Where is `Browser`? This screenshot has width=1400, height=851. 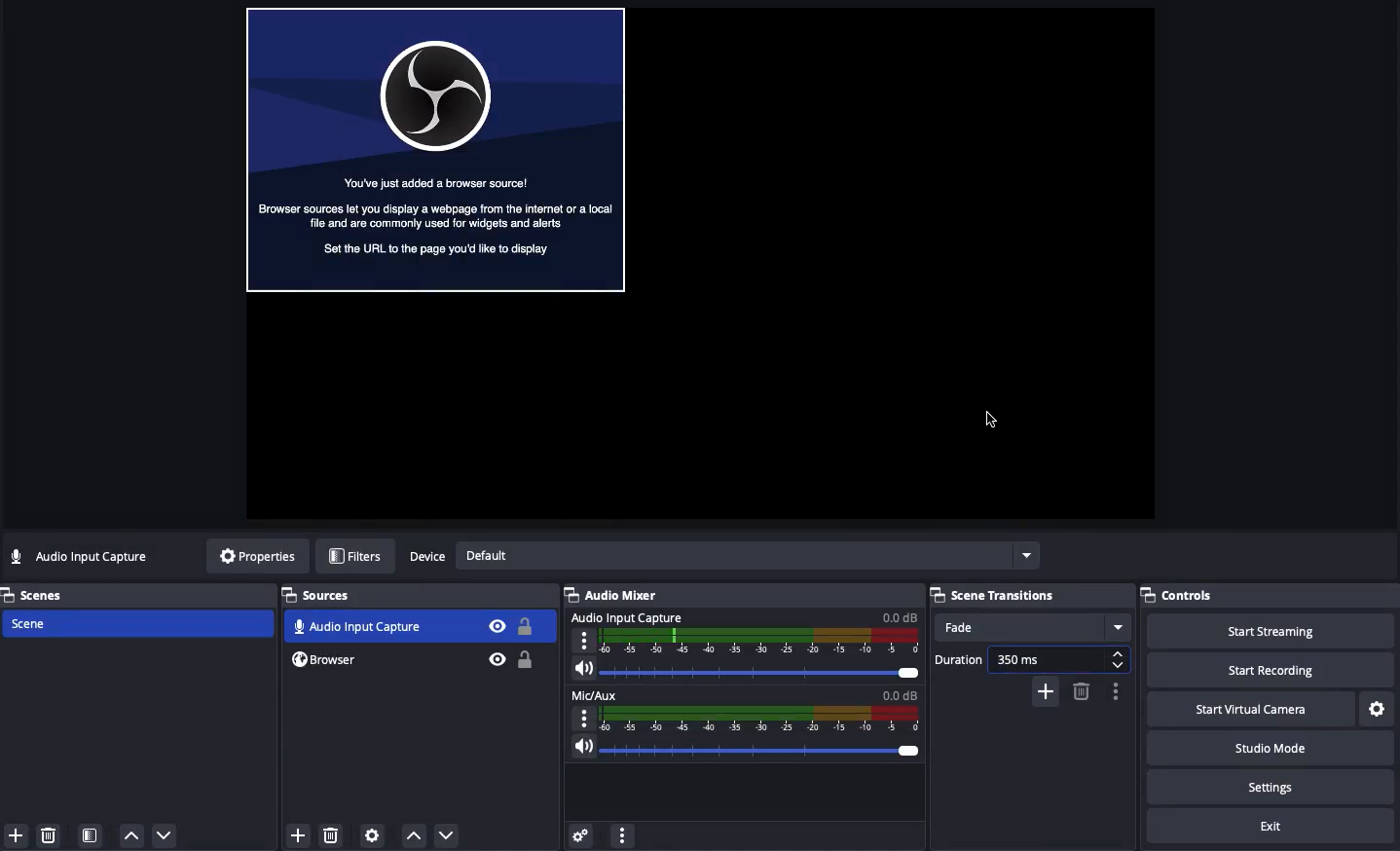 Browser is located at coordinates (419, 663).